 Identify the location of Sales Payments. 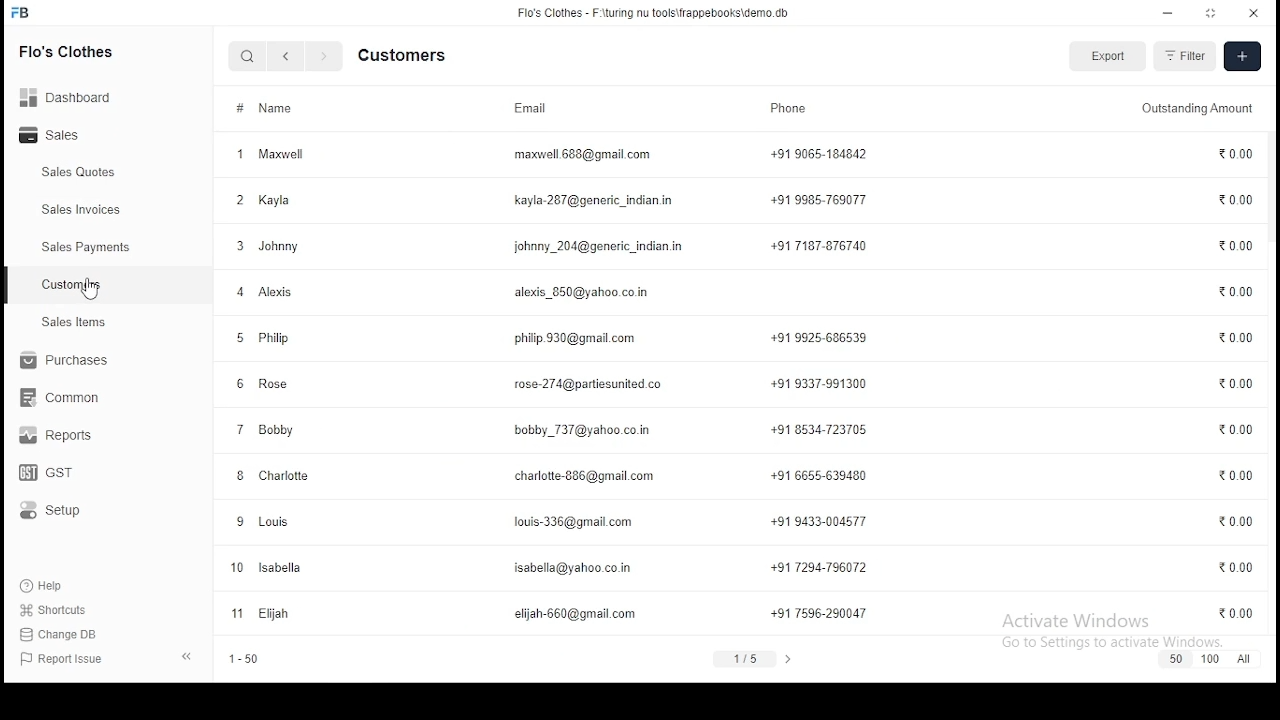
(91, 246).